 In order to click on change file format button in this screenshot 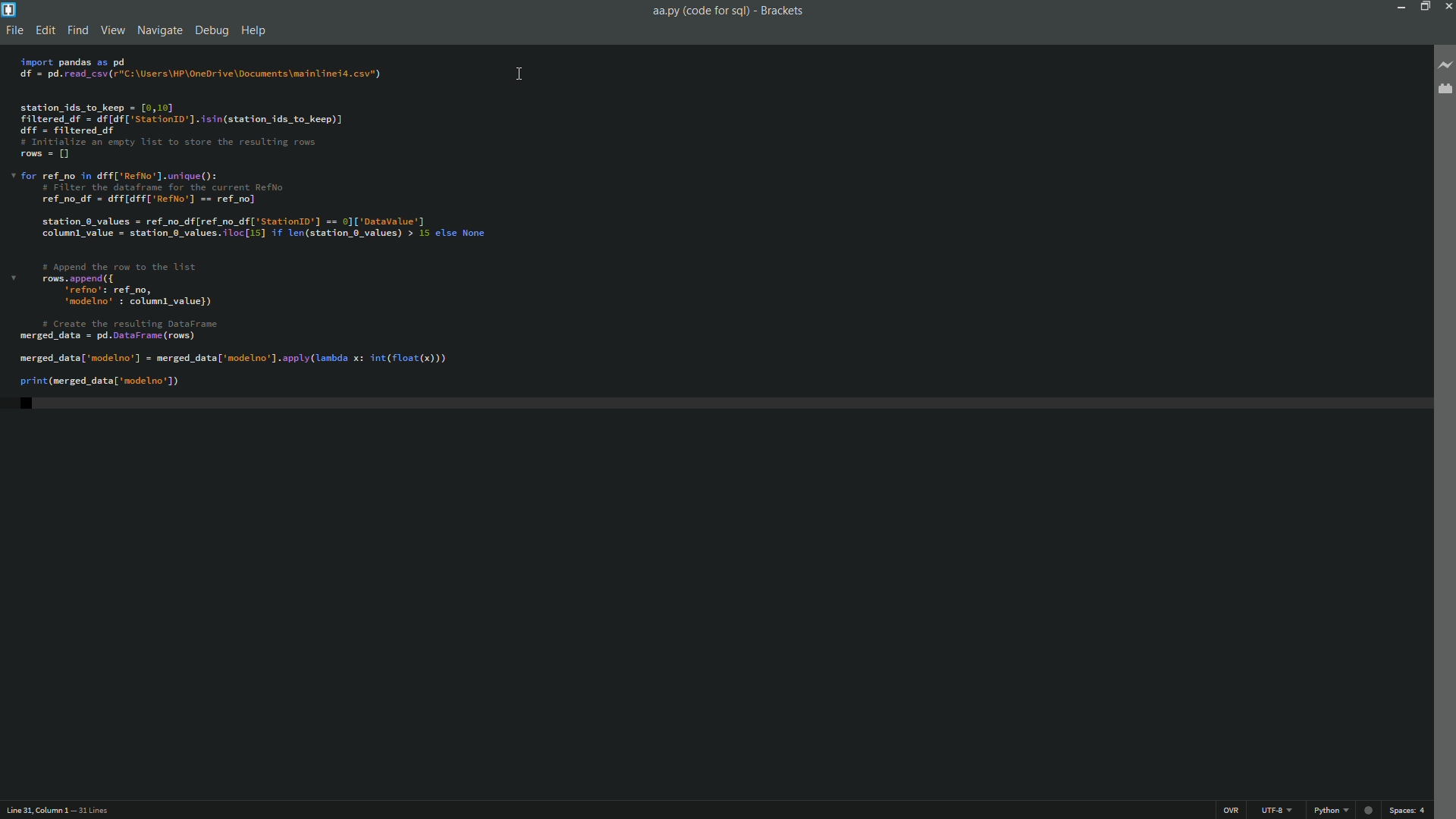, I will do `click(1332, 811)`.